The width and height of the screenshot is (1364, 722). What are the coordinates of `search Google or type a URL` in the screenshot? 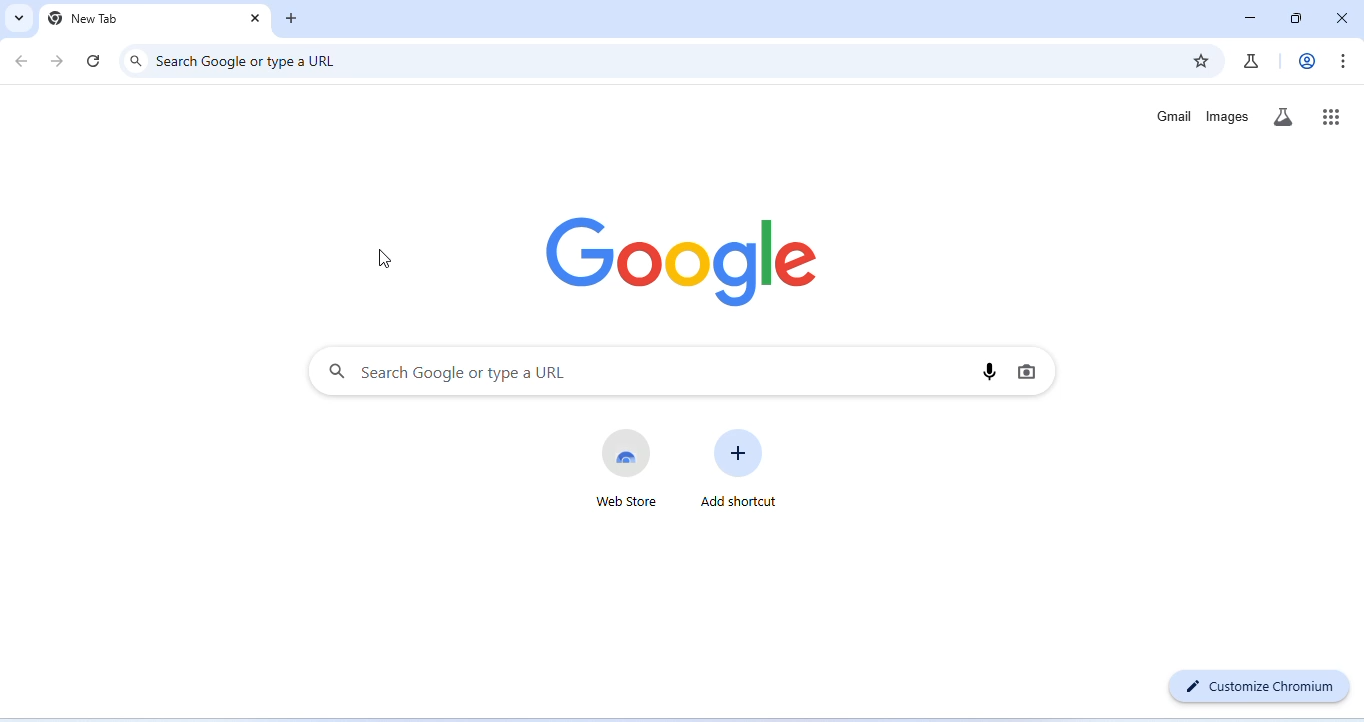 It's located at (446, 371).